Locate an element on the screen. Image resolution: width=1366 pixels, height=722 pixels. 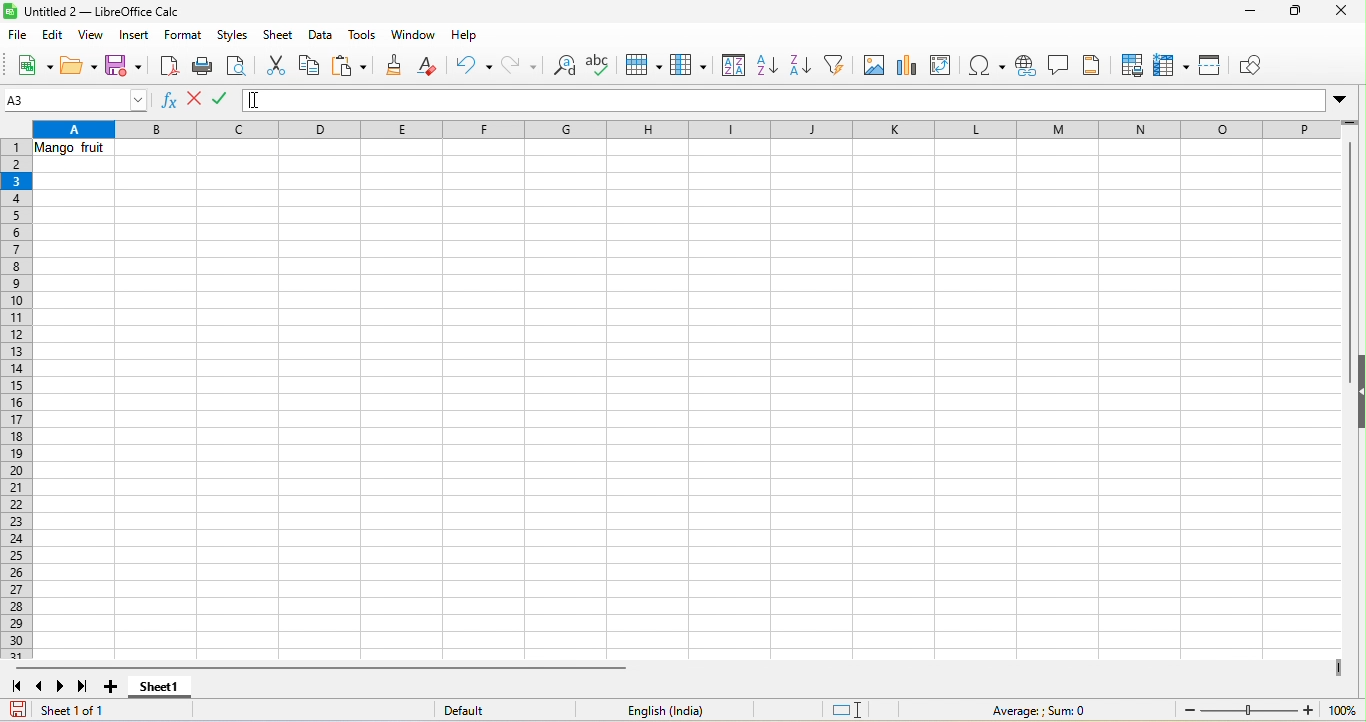
text language is located at coordinates (666, 709).